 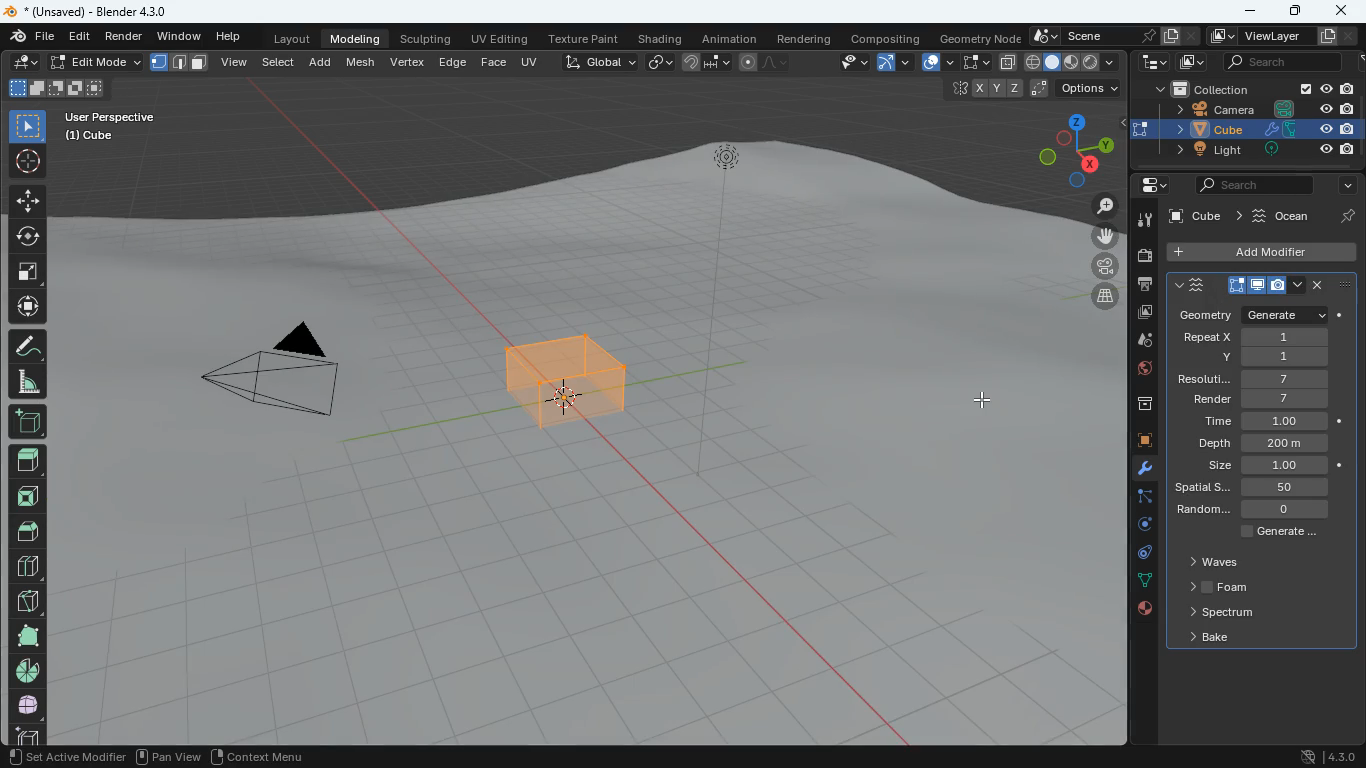 I want to click on settings, so click(x=1154, y=185).